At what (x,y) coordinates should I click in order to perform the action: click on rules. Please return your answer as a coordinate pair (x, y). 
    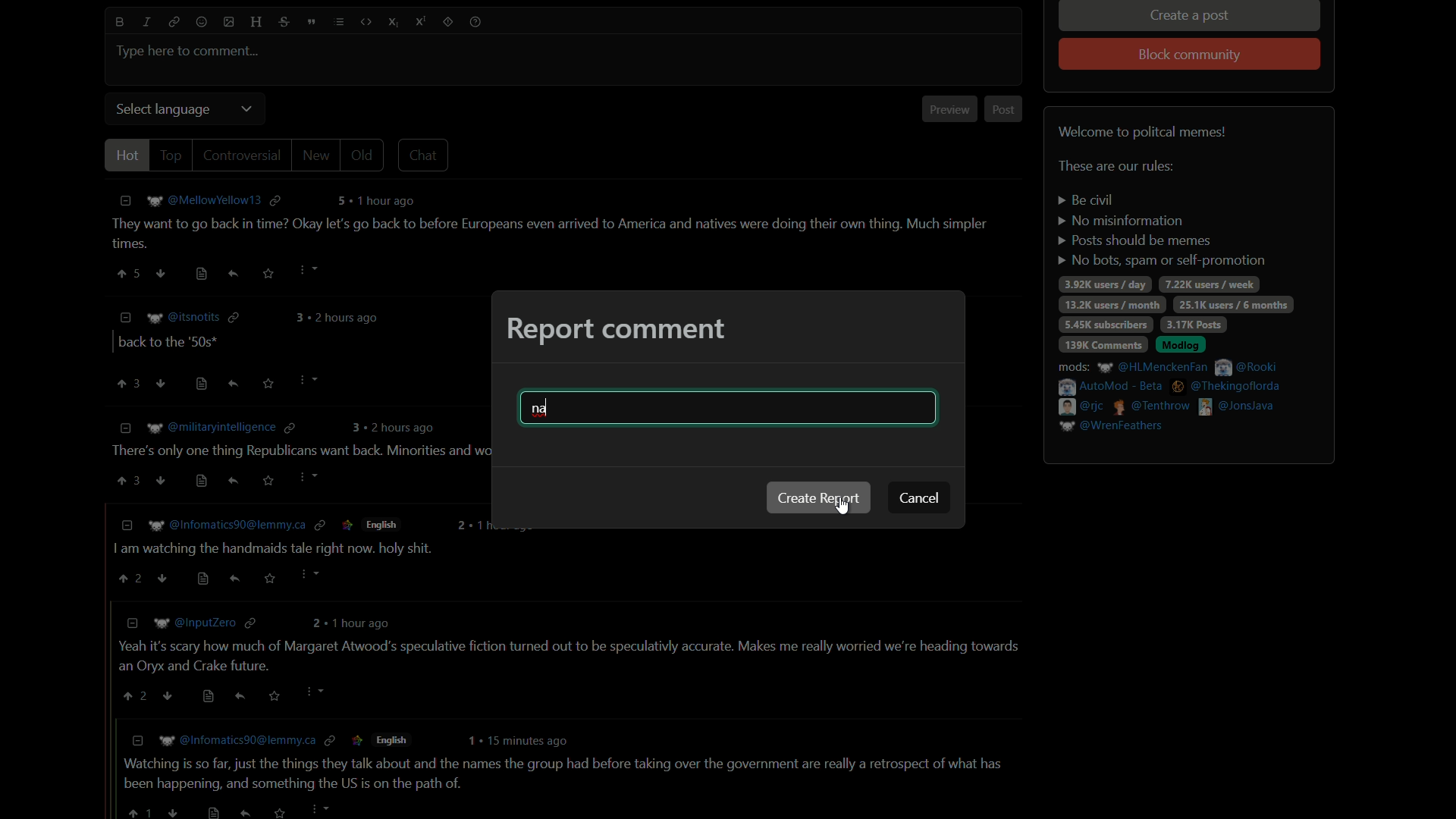
    Looking at the image, I should click on (1161, 232).